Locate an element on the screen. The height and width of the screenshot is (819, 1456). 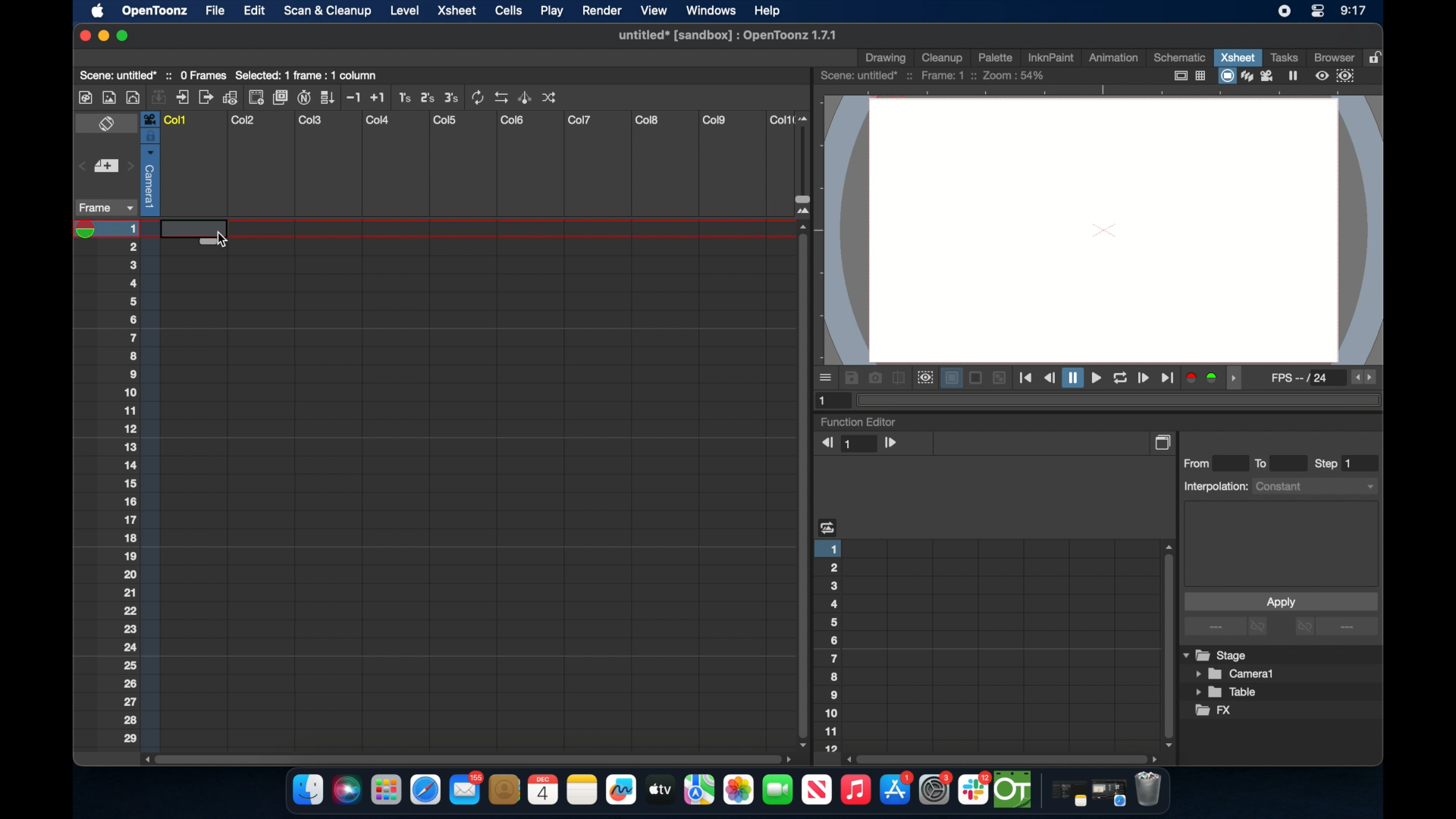
imaps is located at coordinates (699, 790).